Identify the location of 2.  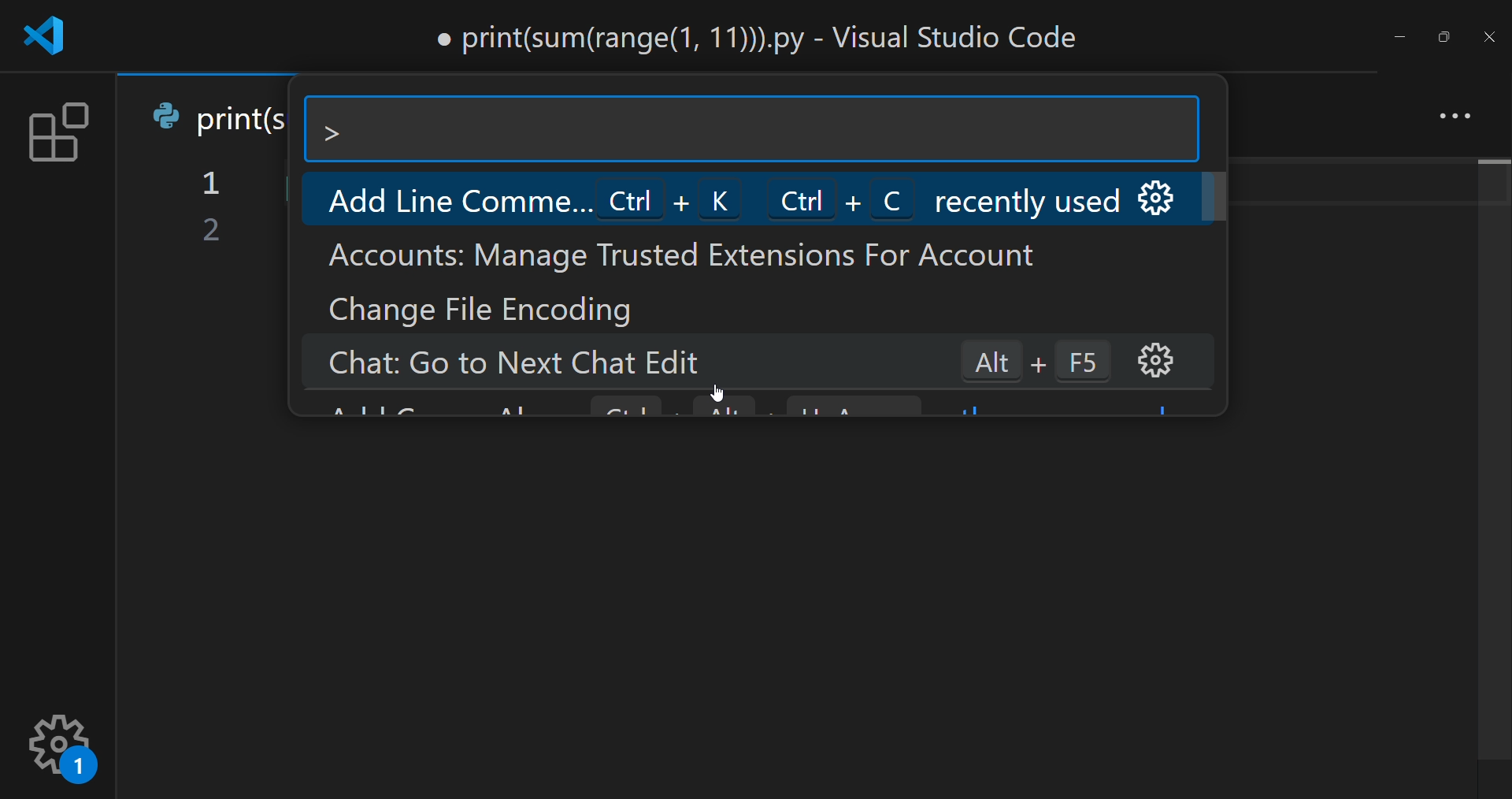
(212, 232).